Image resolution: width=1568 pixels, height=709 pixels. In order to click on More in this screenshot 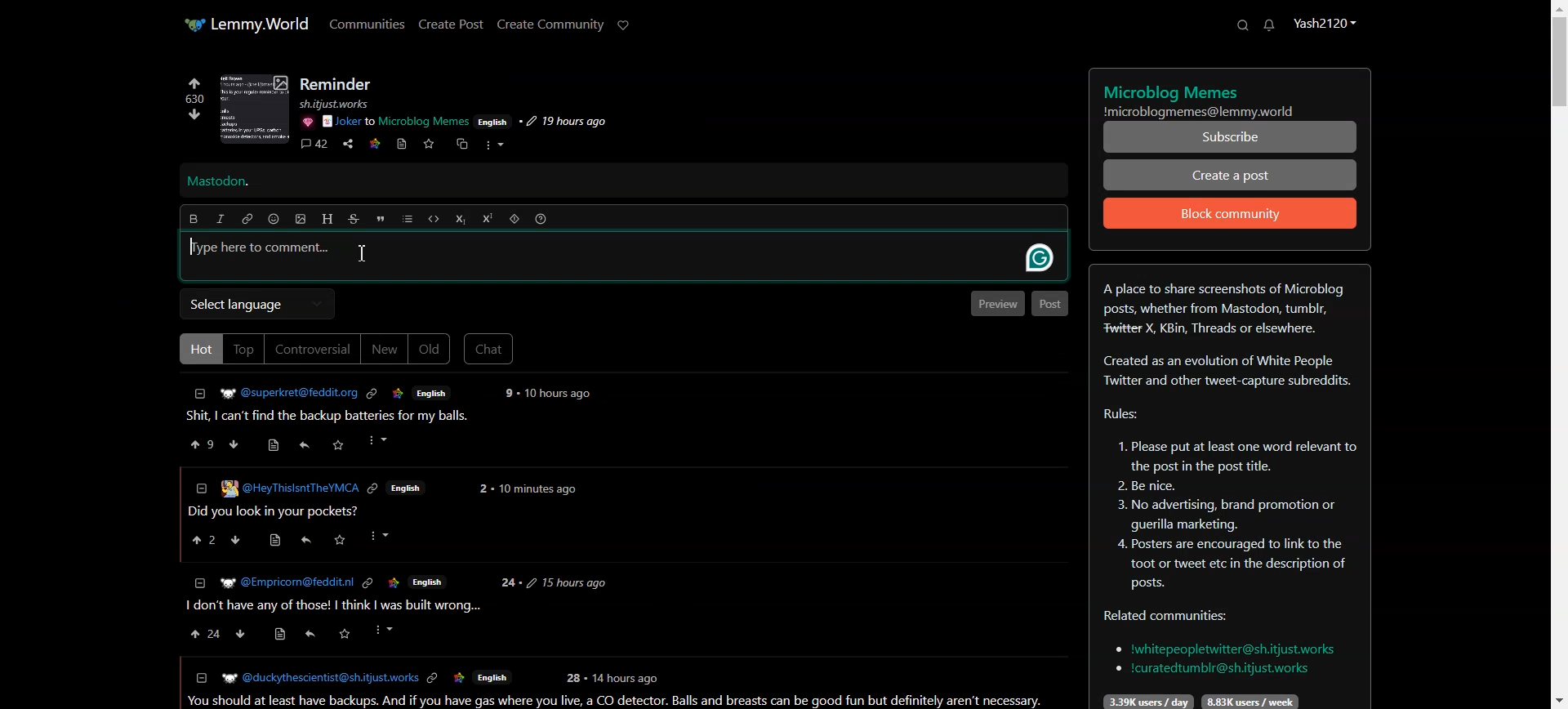, I will do `click(494, 145)`.